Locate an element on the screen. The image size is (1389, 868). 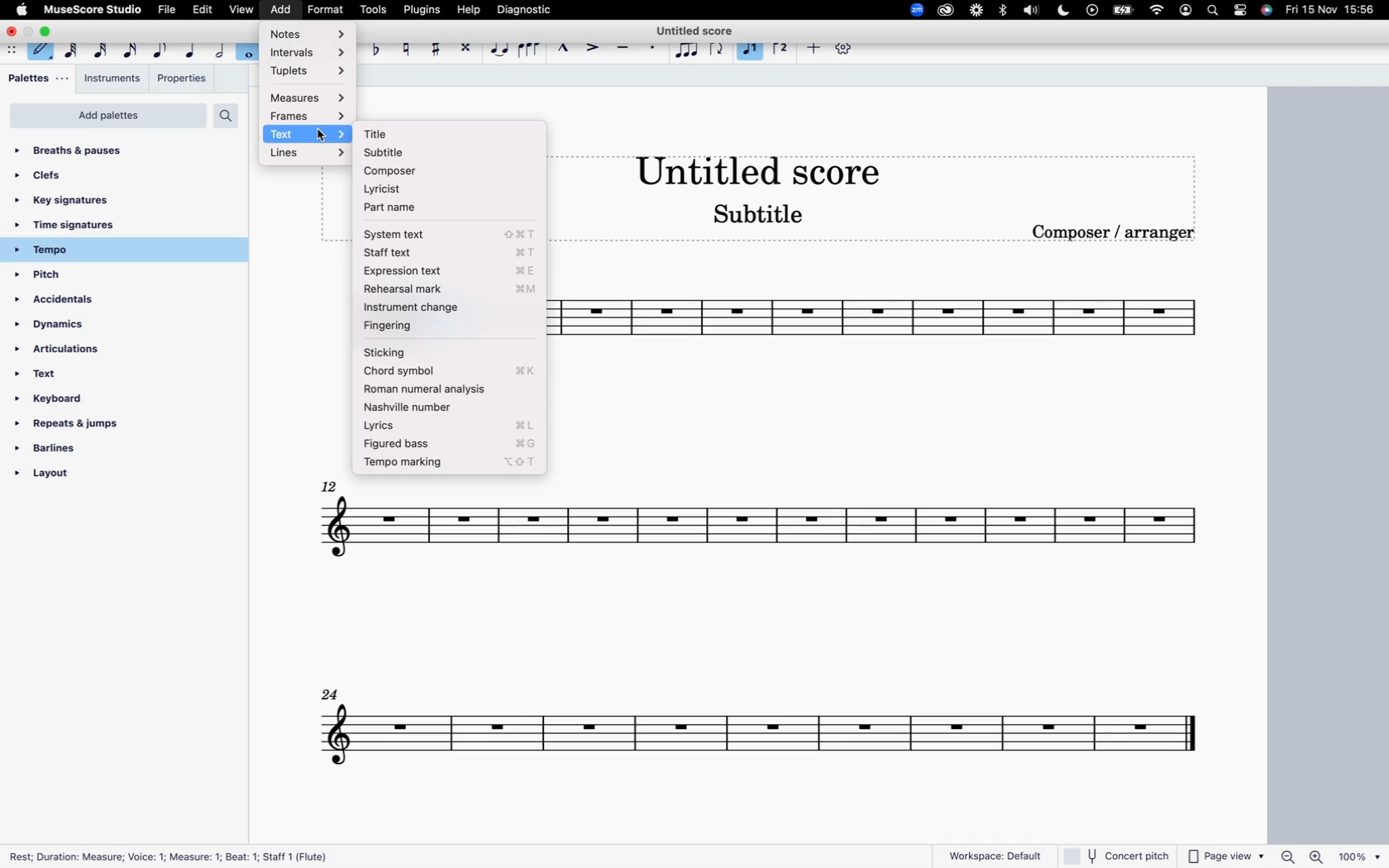
edit is located at coordinates (203, 9).